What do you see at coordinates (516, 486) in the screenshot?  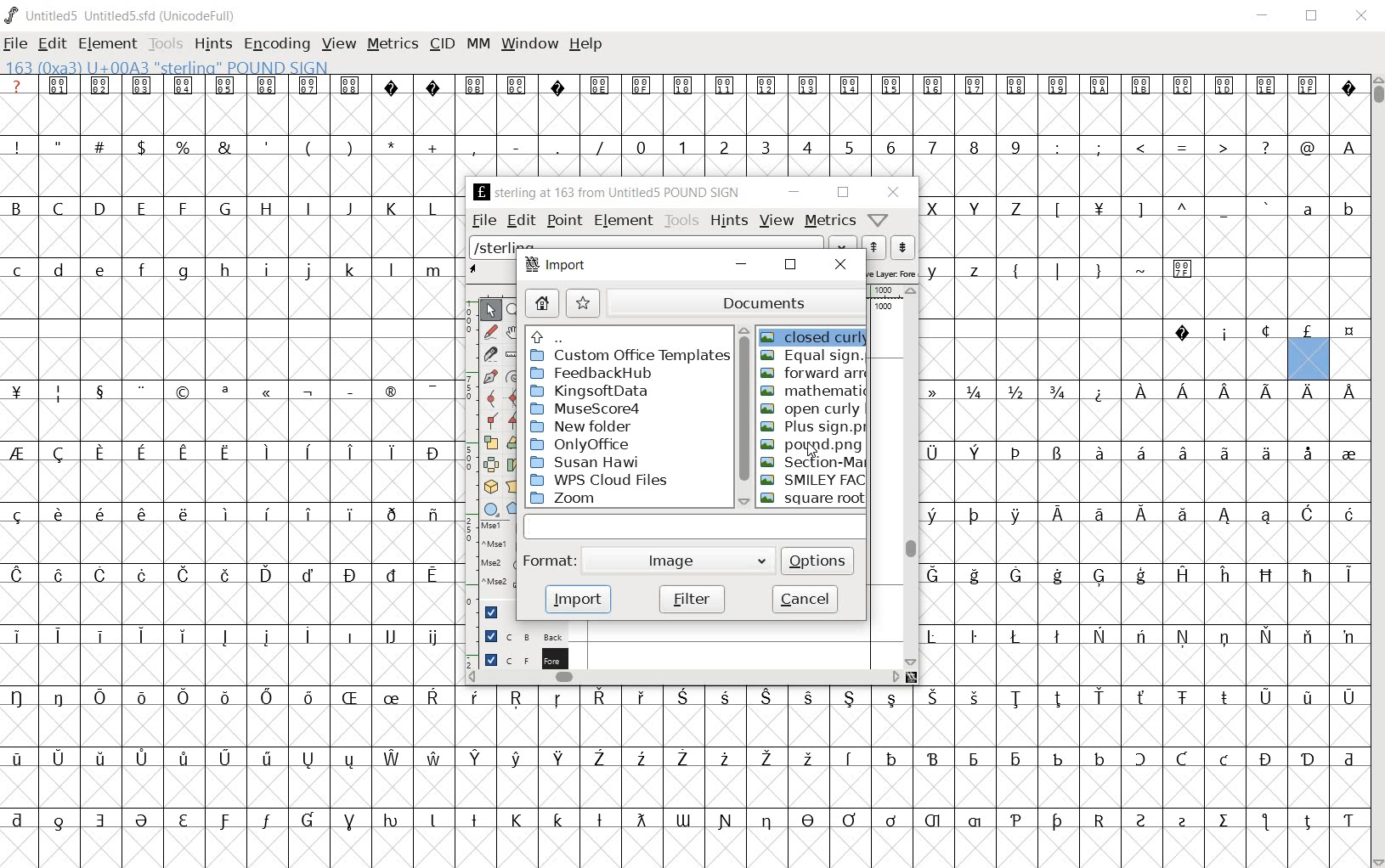 I see `Perspective` at bounding box center [516, 486].